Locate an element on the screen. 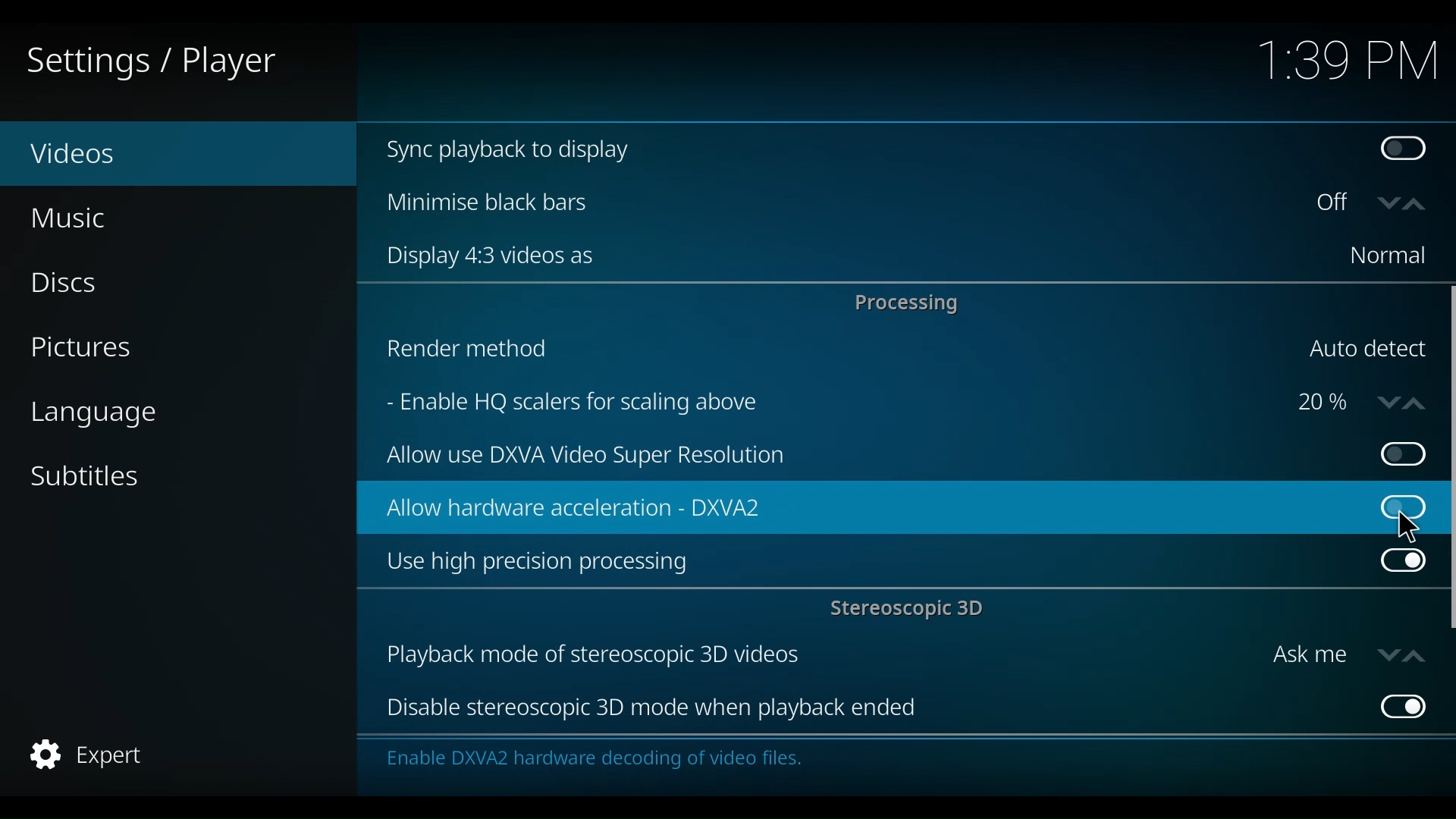 The height and width of the screenshot is (819, 1456). Ask me is located at coordinates (1309, 655).